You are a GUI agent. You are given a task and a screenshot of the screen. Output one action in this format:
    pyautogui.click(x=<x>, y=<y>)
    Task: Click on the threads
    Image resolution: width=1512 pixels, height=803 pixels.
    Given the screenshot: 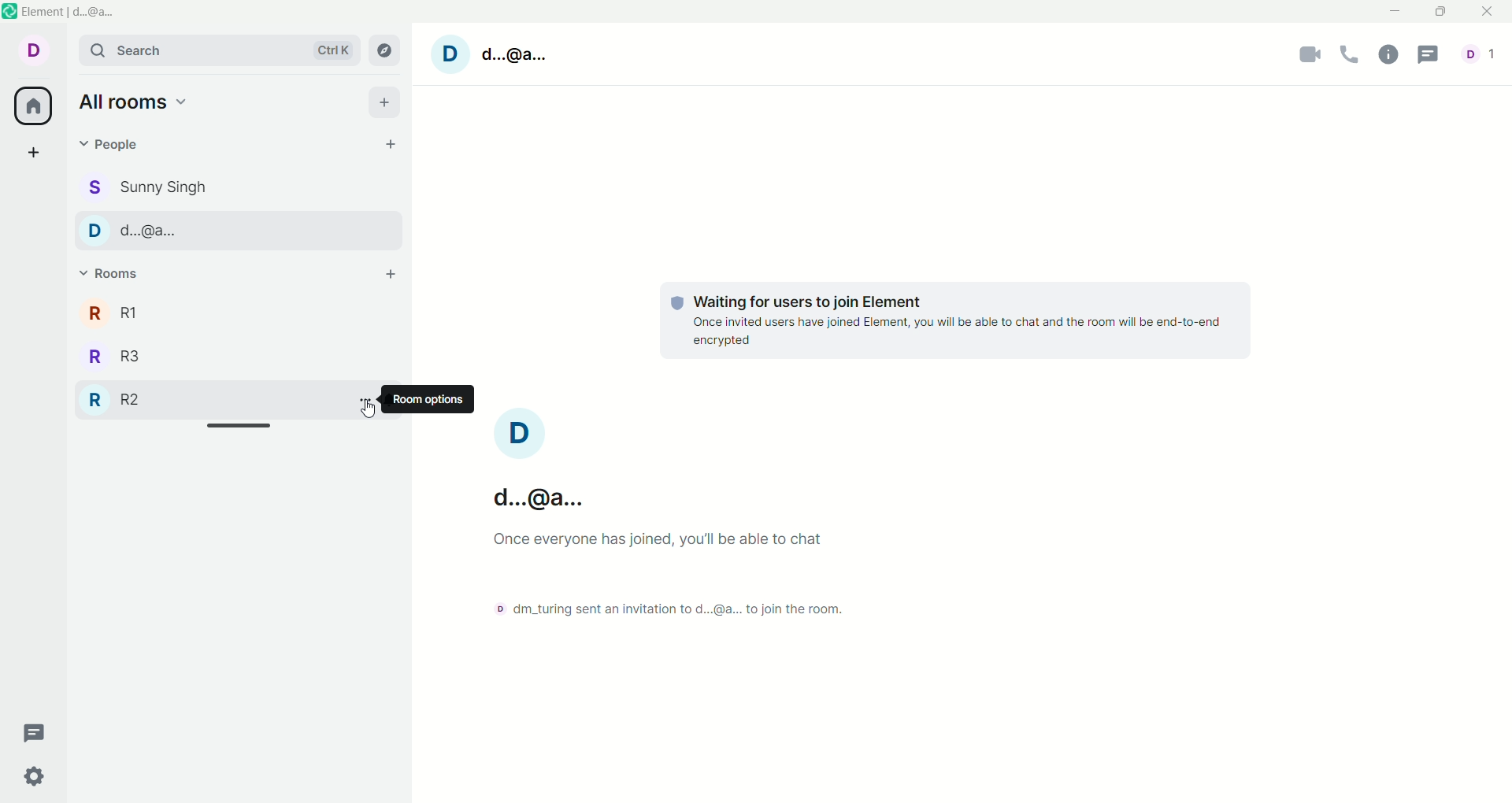 What is the action you would take?
    pyautogui.click(x=32, y=735)
    